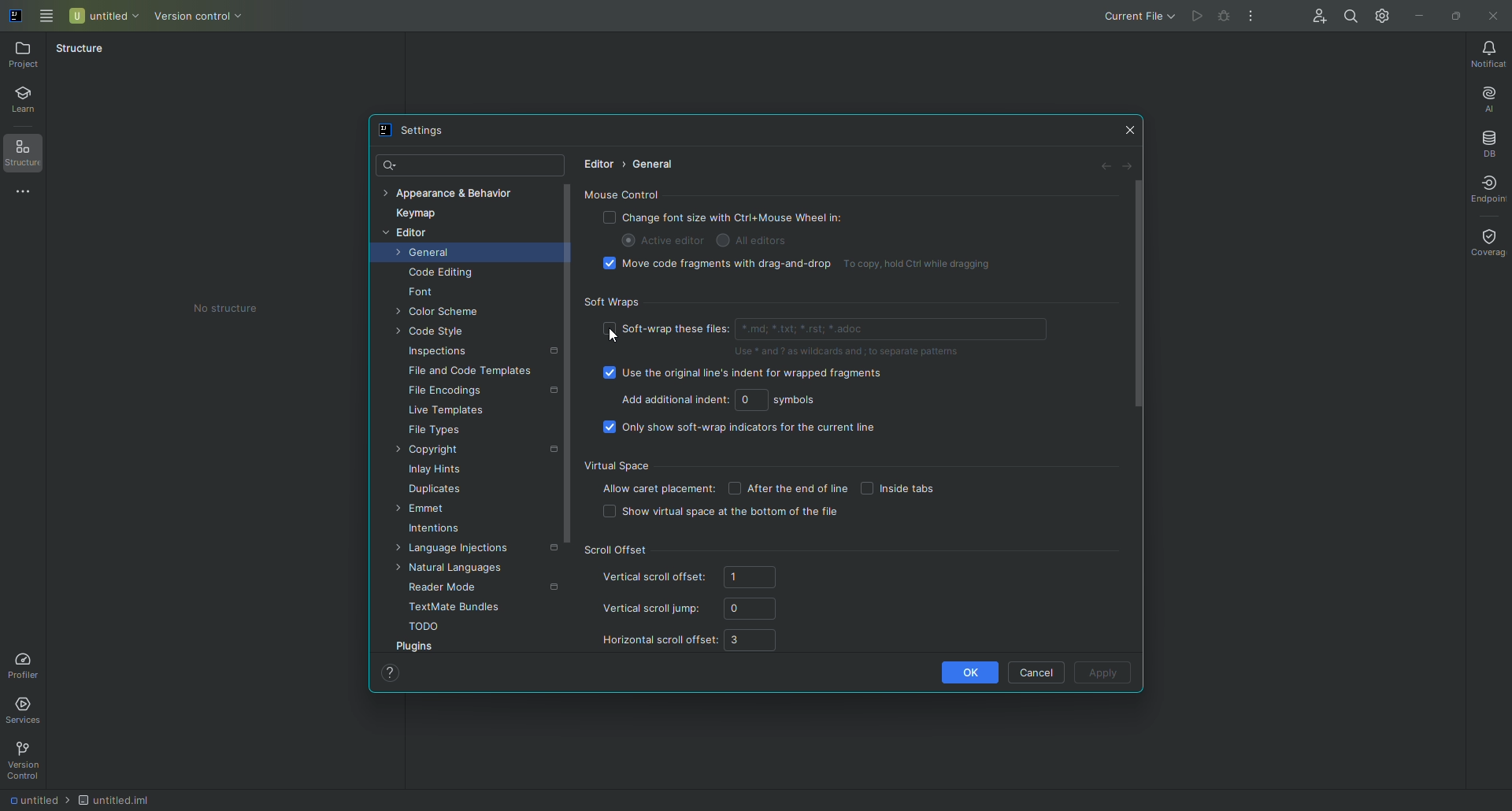 The height and width of the screenshot is (811, 1512). Describe the element at coordinates (724, 515) in the screenshot. I see `Show virtual space at the bottom` at that location.